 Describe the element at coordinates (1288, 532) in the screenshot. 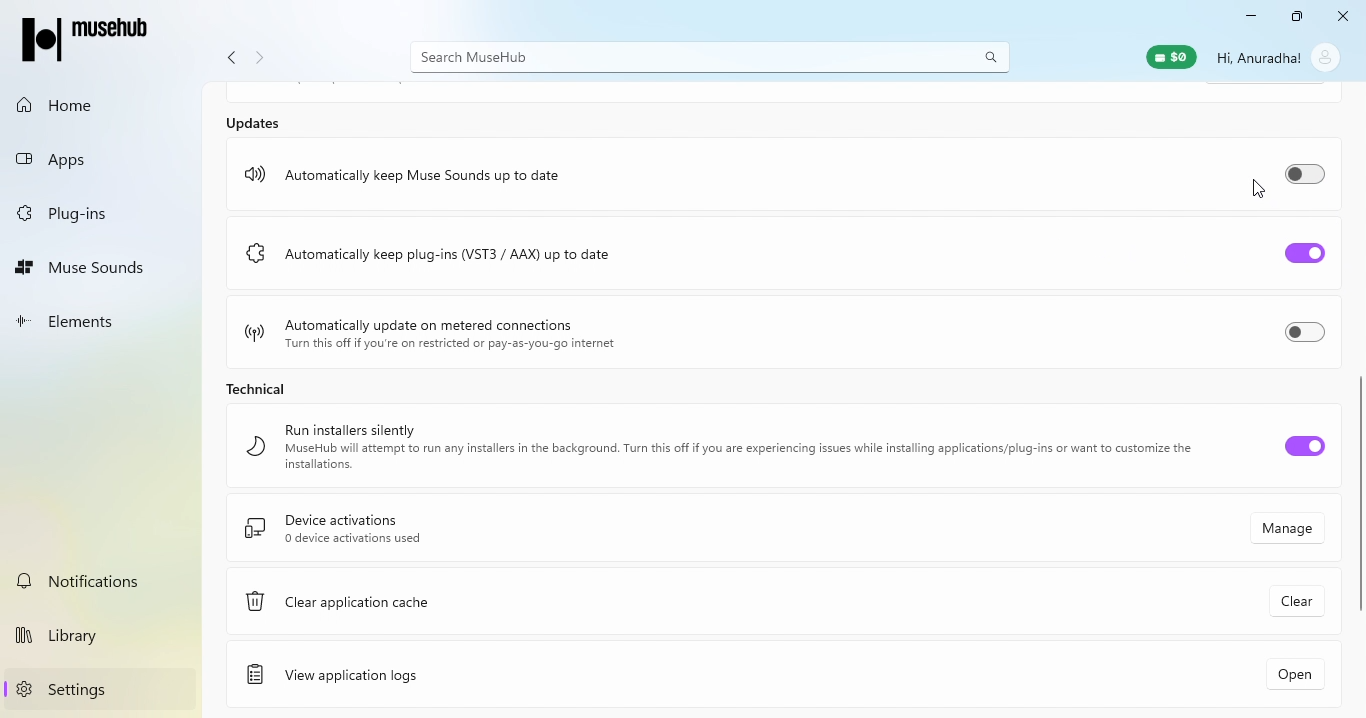

I see `Manage` at that location.